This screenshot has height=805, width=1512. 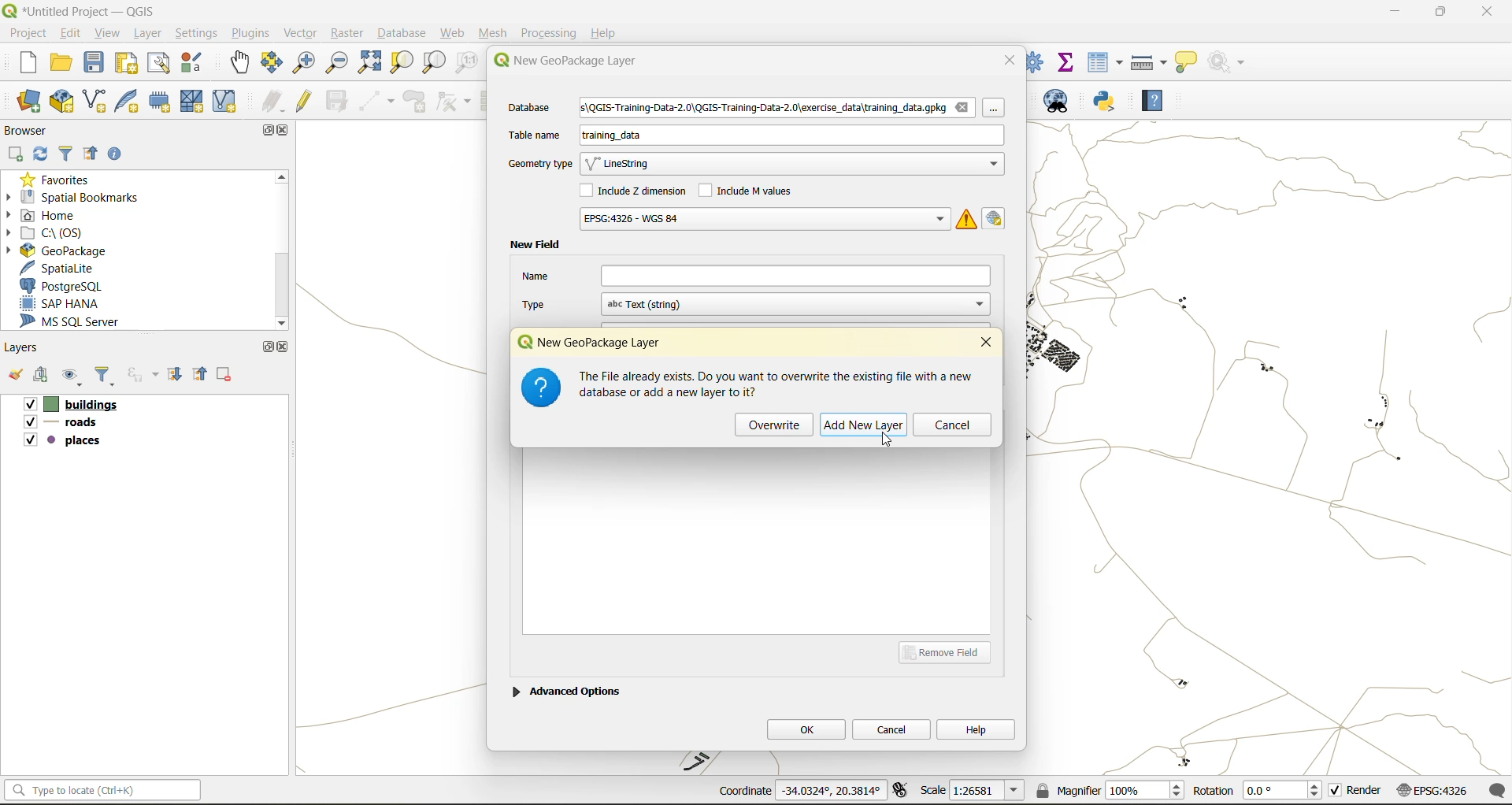 What do you see at coordinates (535, 245) in the screenshot?
I see `new field` at bounding box center [535, 245].